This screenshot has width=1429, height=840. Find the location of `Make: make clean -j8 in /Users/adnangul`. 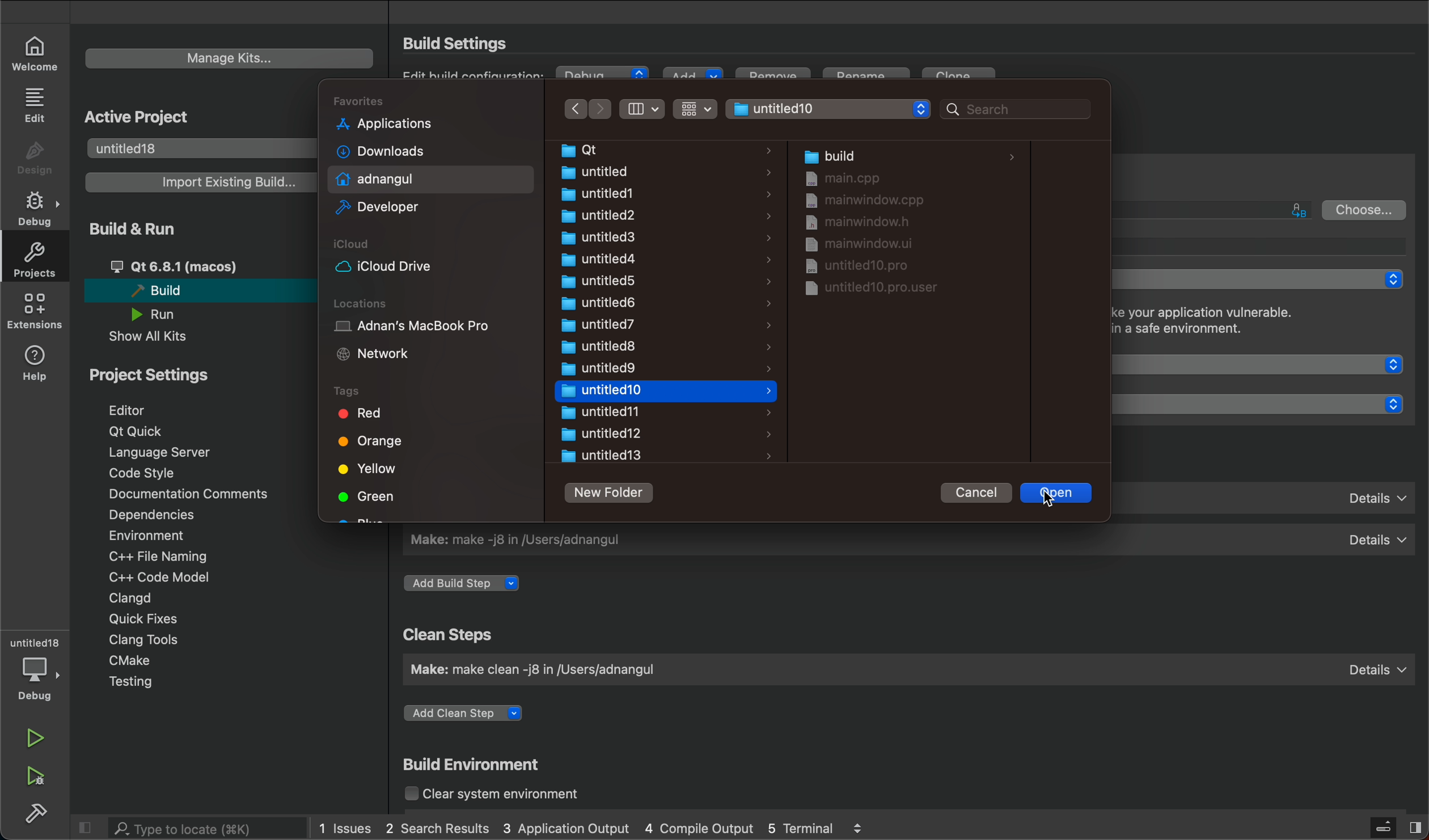

Make: make clean -j8 in /Users/adnangul is located at coordinates (545, 672).